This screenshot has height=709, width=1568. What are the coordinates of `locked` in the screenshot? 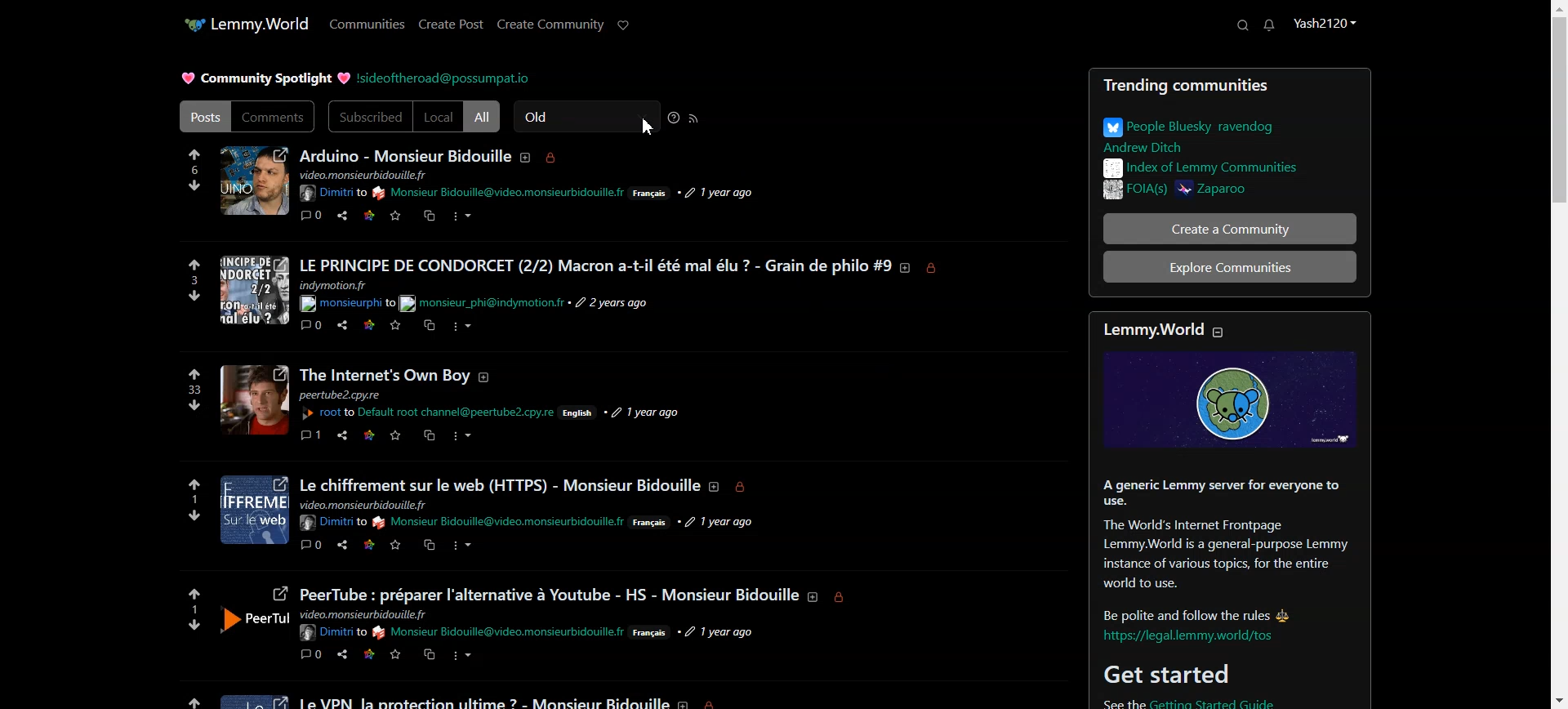 It's located at (844, 600).